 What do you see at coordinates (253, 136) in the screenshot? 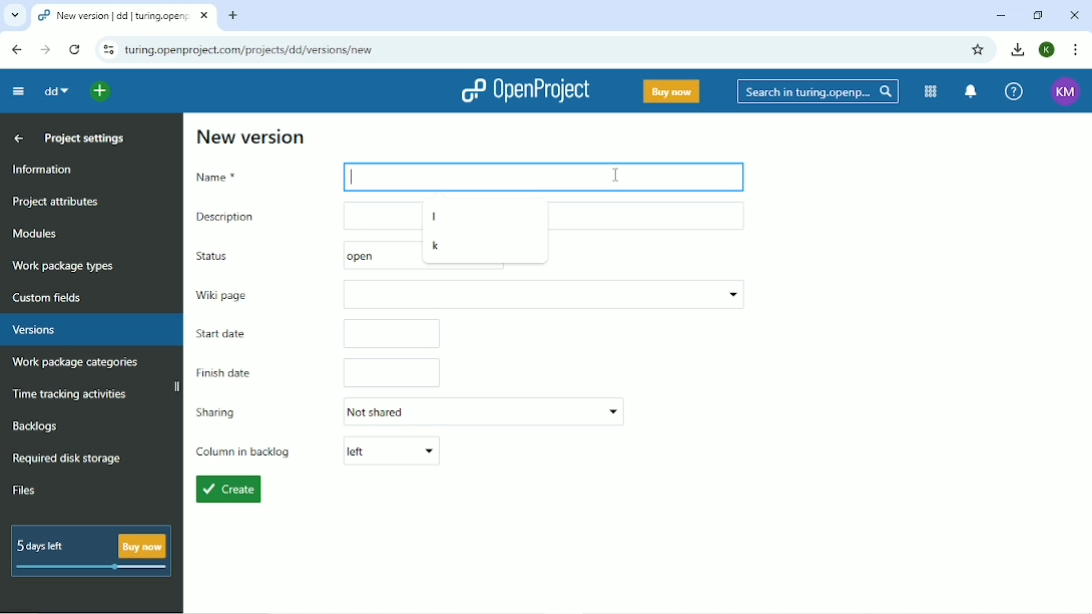
I see `New version` at bounding box center [253, 136].